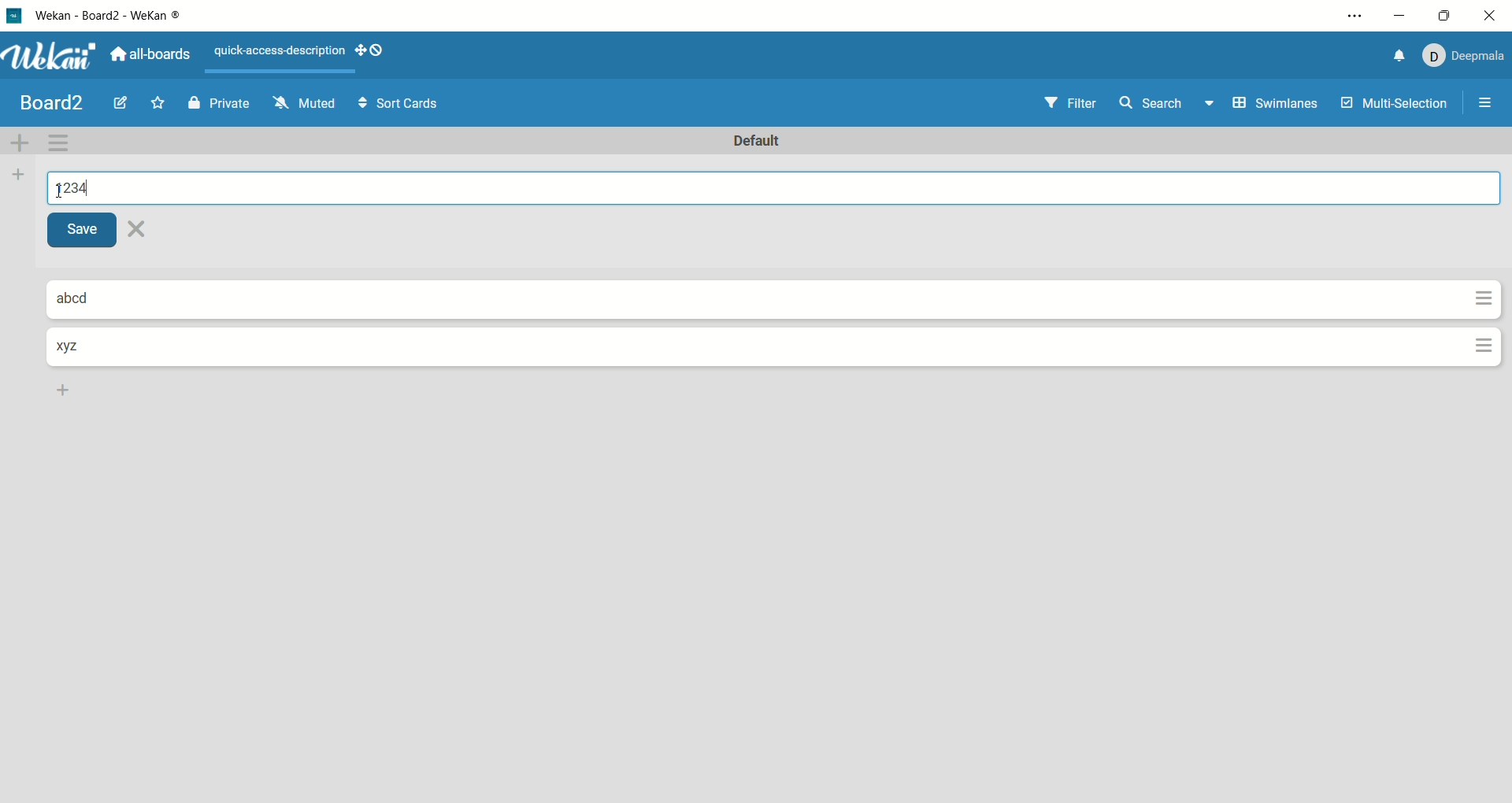 The image size is (1512, 803). What do you see at coordinates (277, 54) in the screenshot?
I see `text` at bounding box center [277, 54].